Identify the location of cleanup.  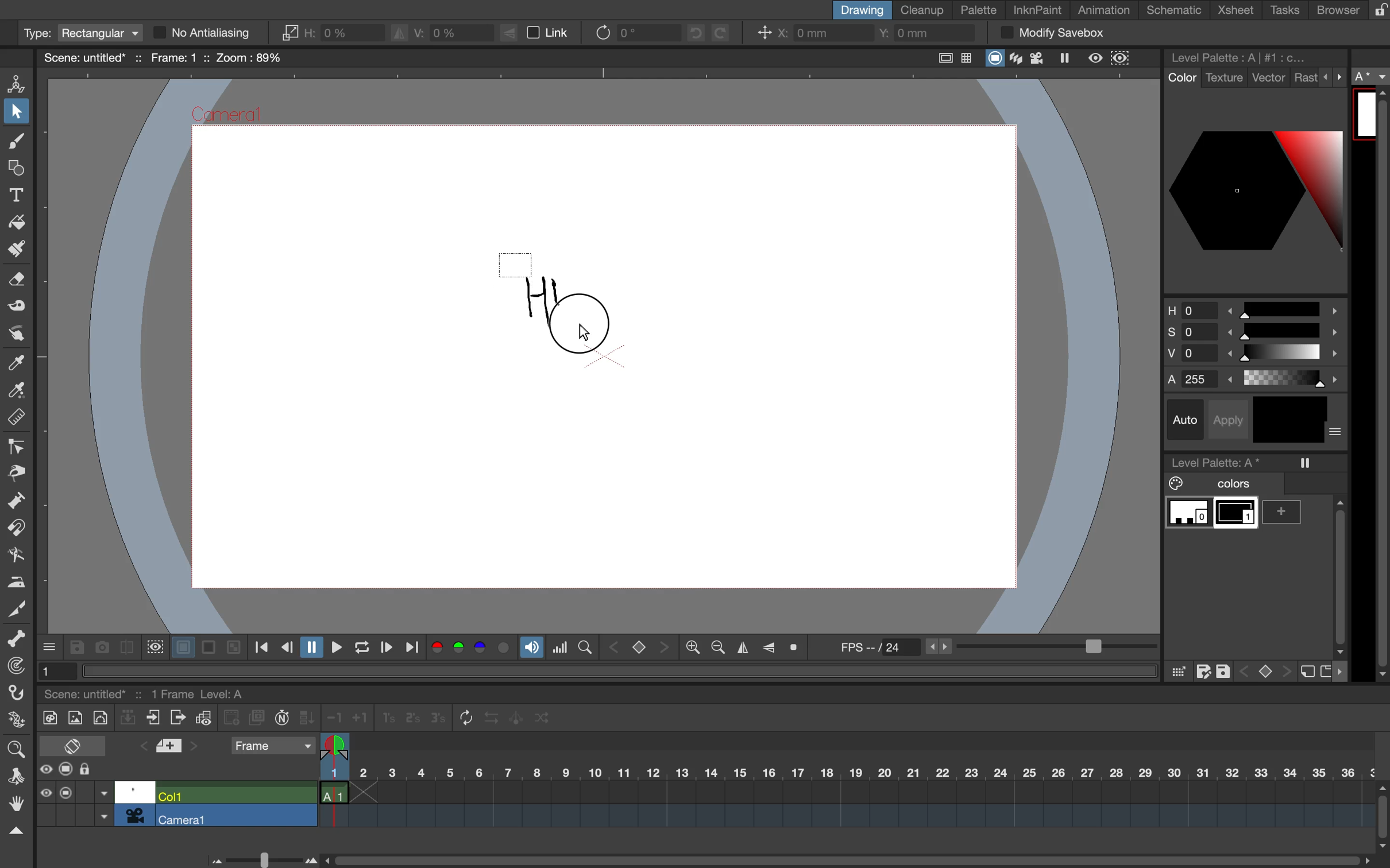
(923, 9).